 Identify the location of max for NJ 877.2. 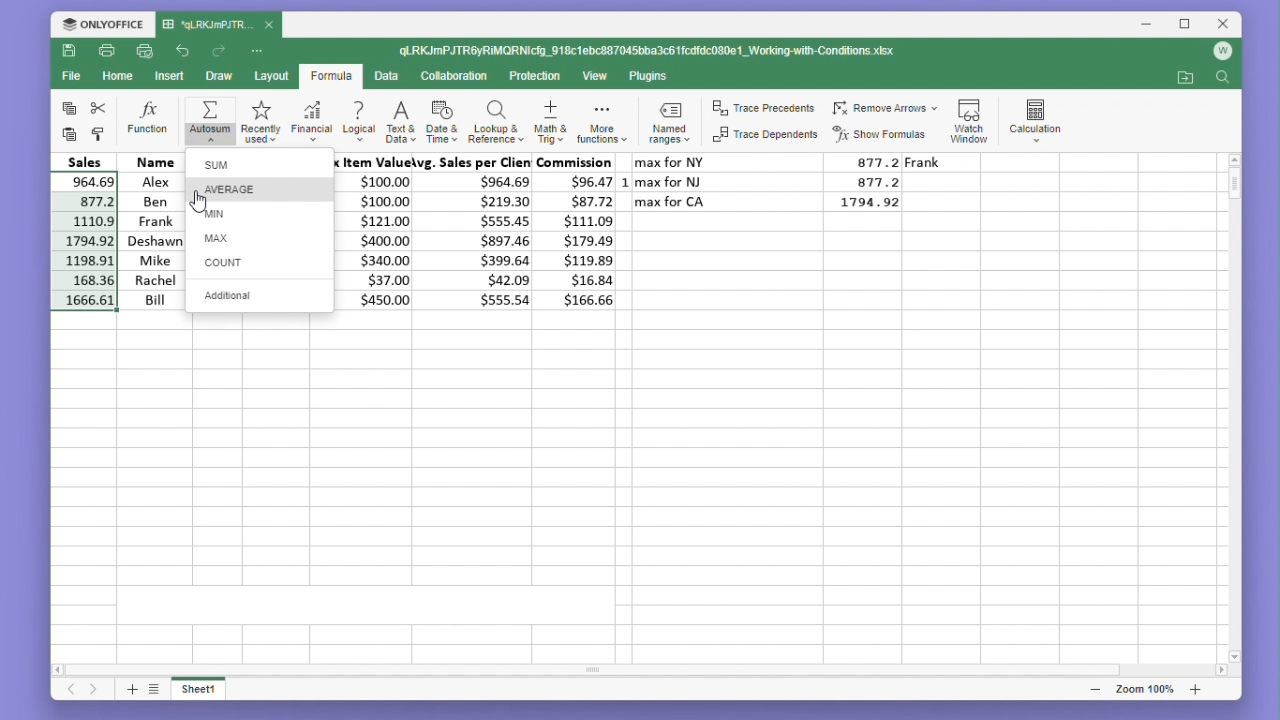
(770, 181).